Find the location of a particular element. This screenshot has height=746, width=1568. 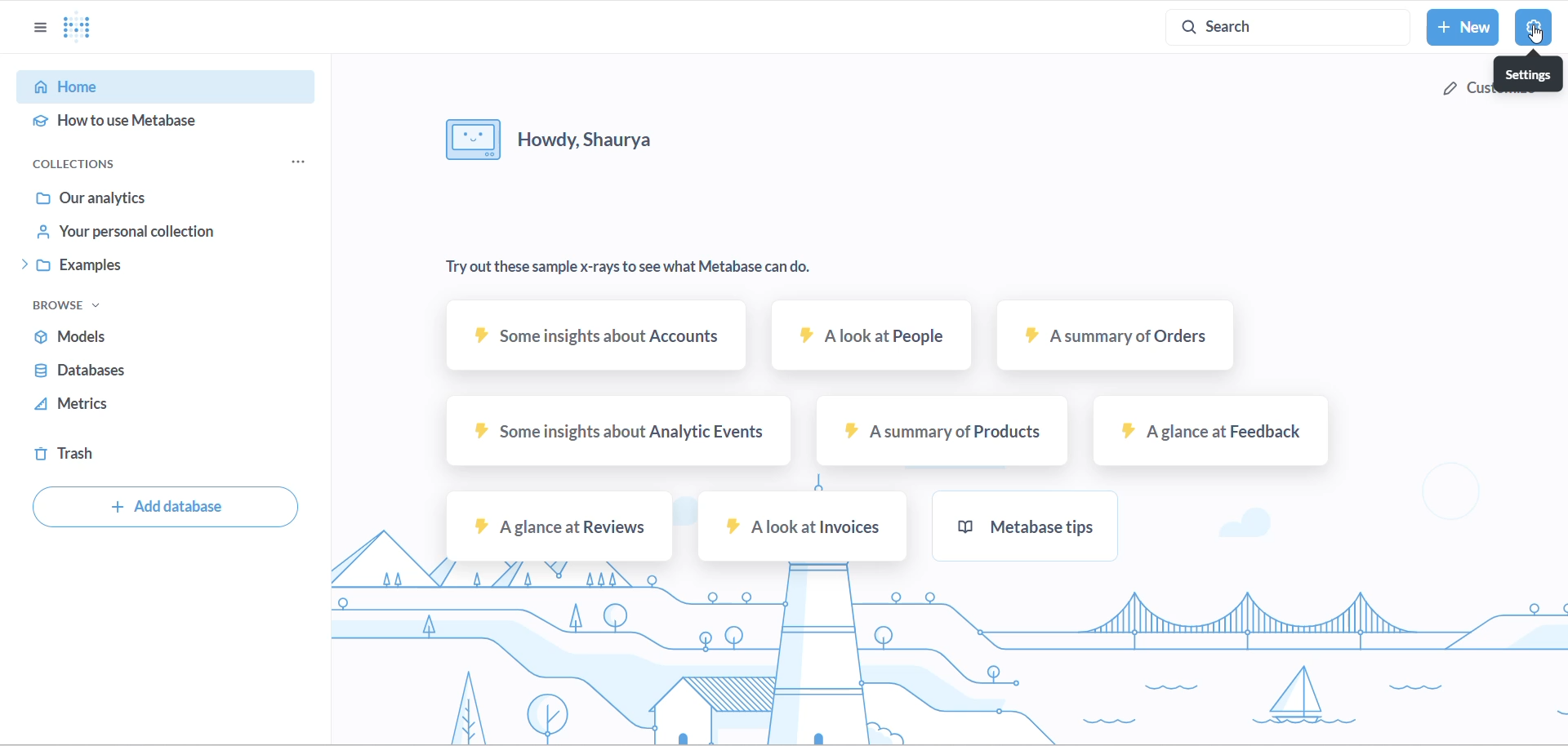

BROWSE is located at coordinates (80, 306).